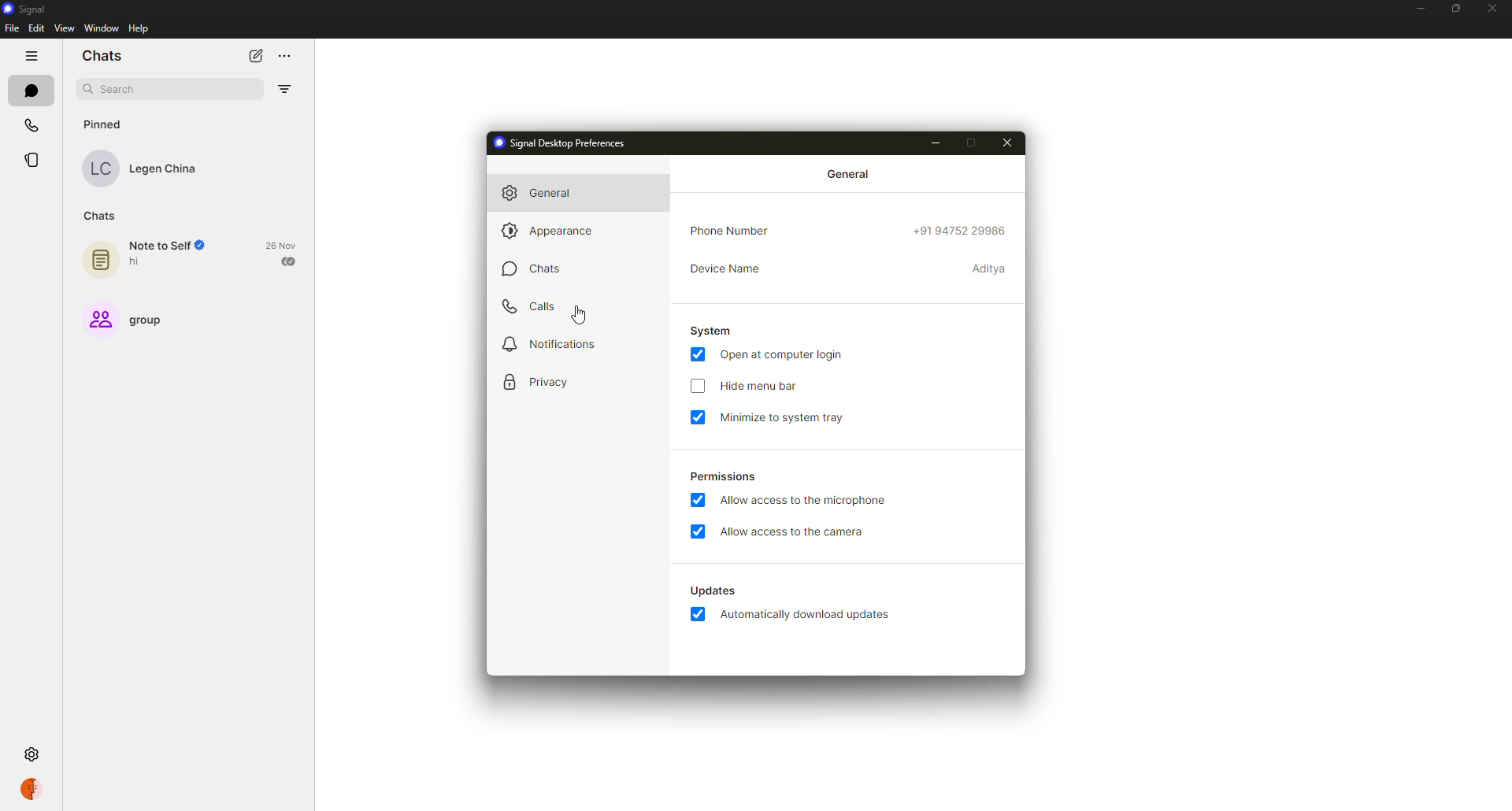 This screenshot has height=811, width=1512. I want to click on maximize, so click(1451, 9).